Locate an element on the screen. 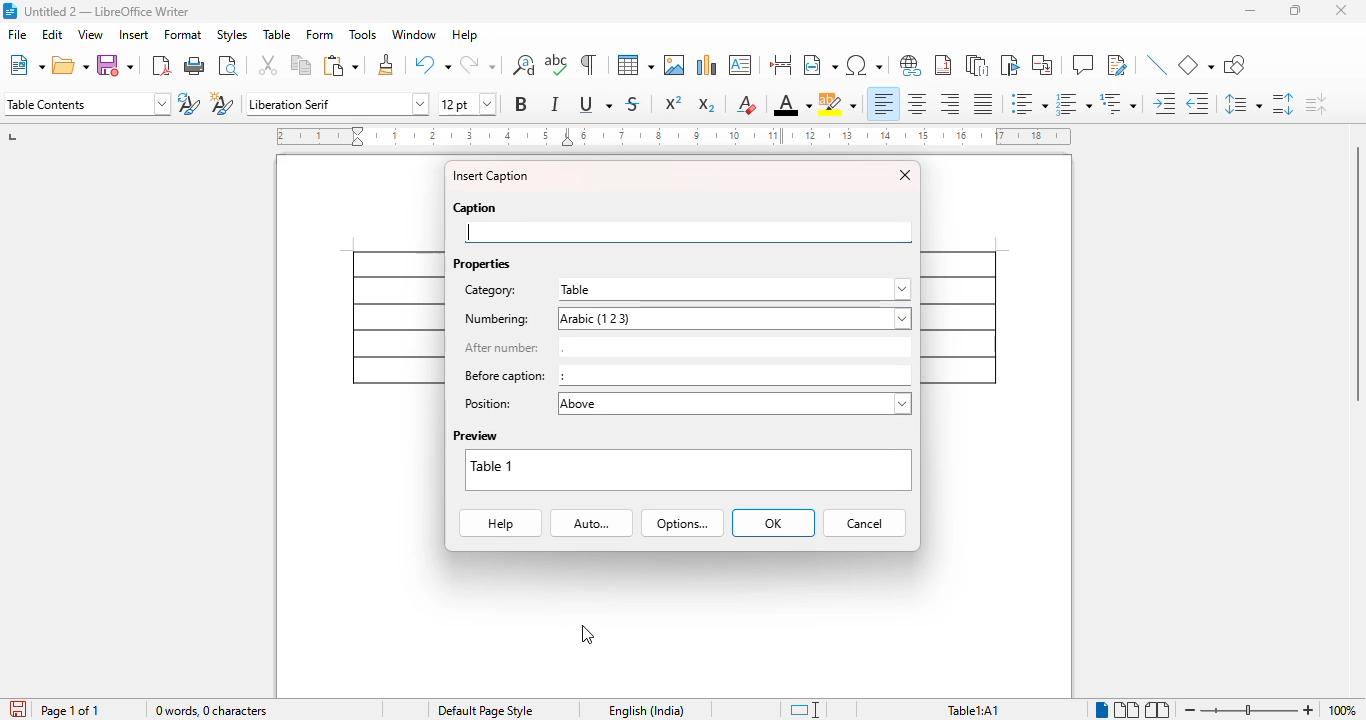 The width and height of the screenshot is (1366, 720). auto is located at coordinates (592, 524).